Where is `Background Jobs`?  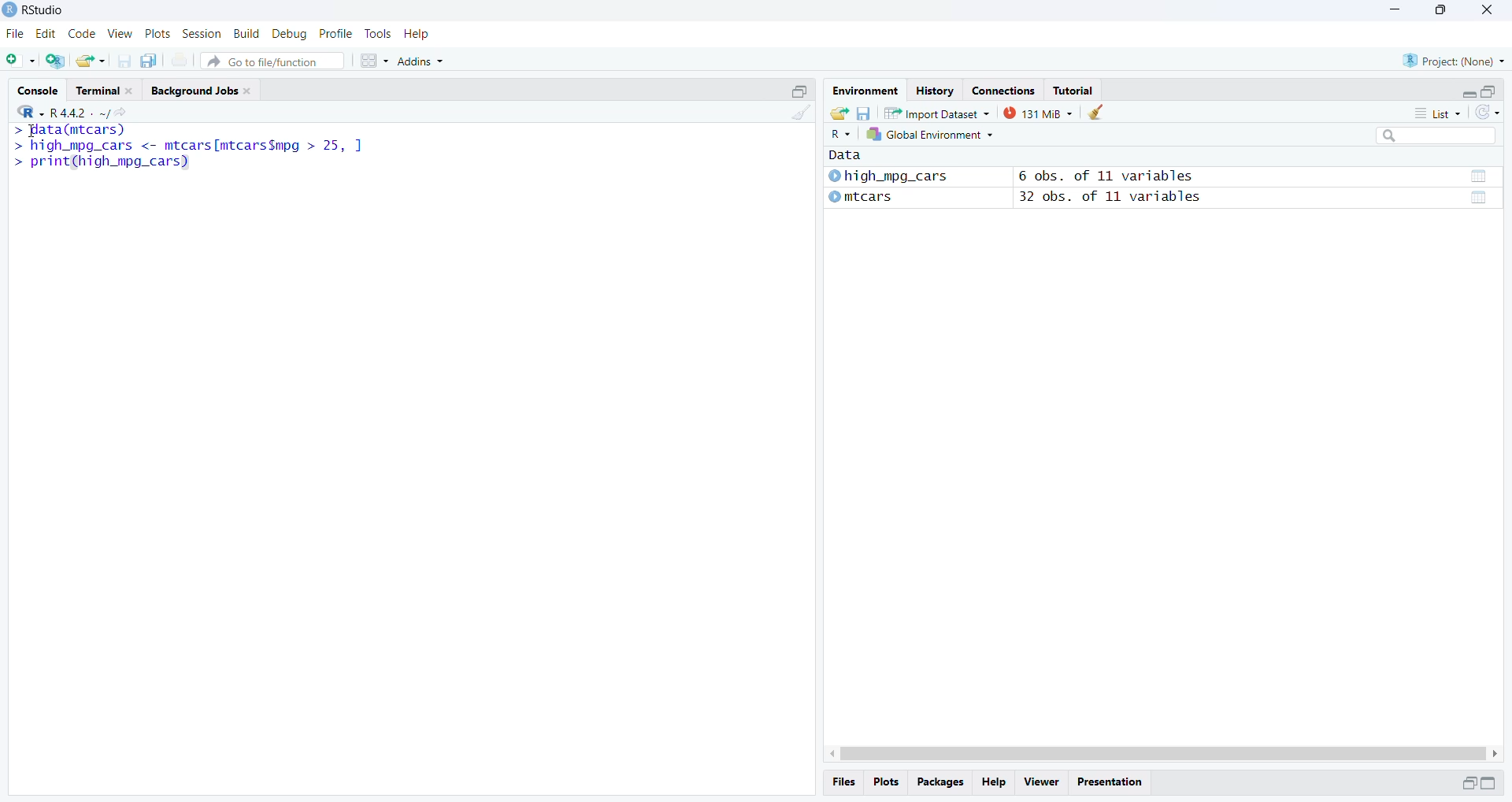
Background Jobs is located at coordinates (206, 90).